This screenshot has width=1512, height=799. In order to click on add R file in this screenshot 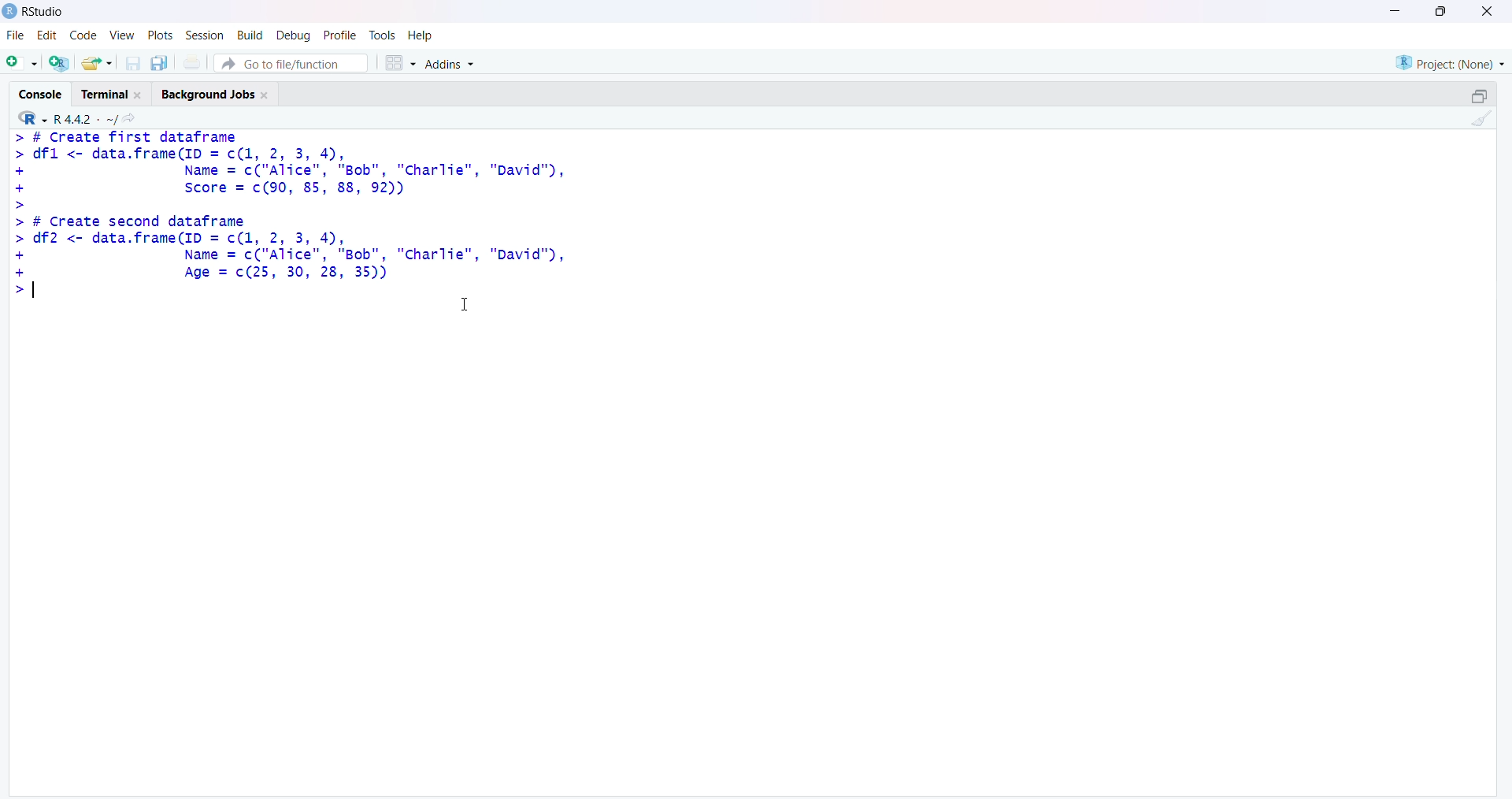, I will do `click(60, 63)`.